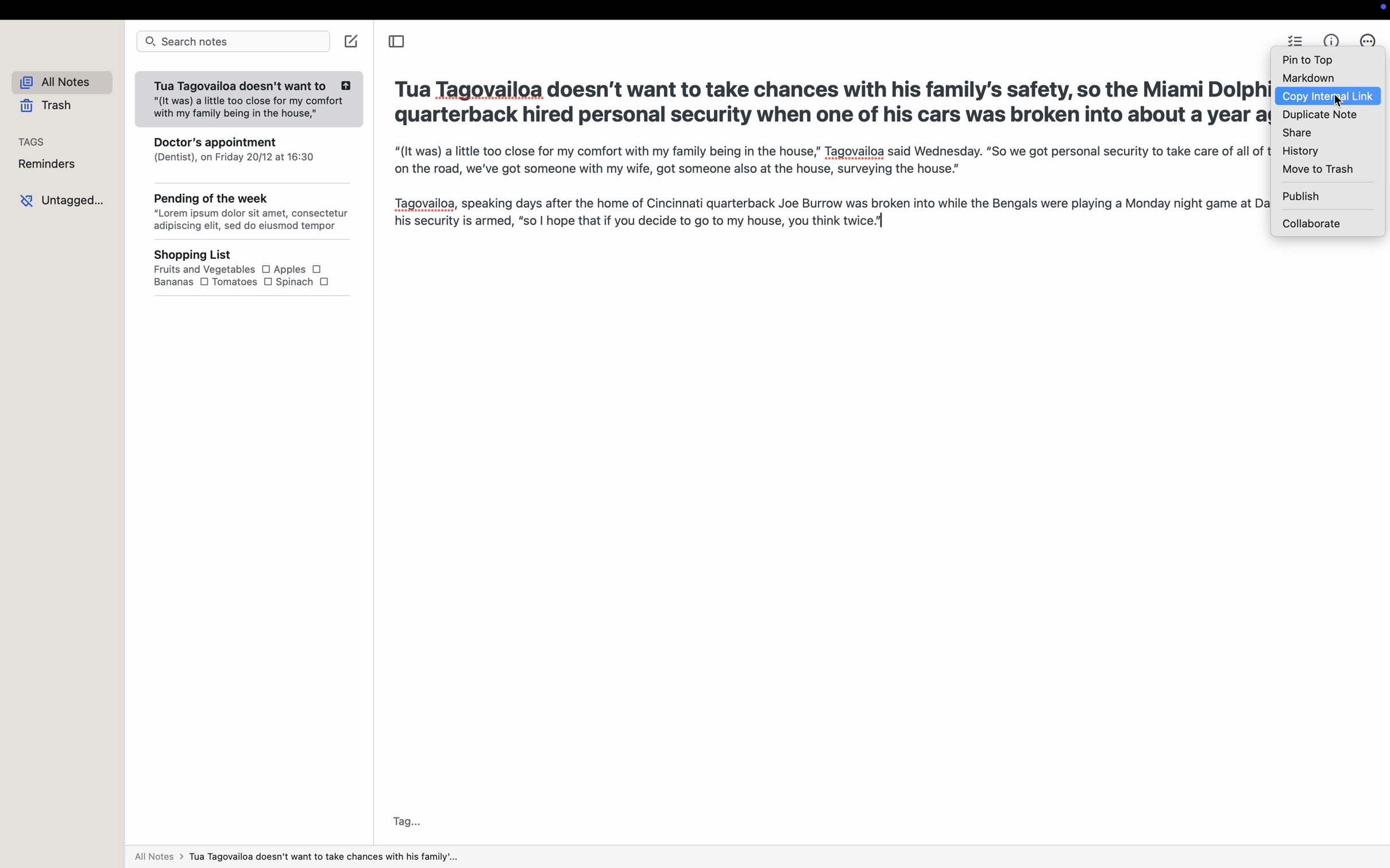 The image size is (1390, 868). What do you see at coordinates (1328, 98) in the screenshot?
I see `copy internal link` at bounding box center [1328, 98].